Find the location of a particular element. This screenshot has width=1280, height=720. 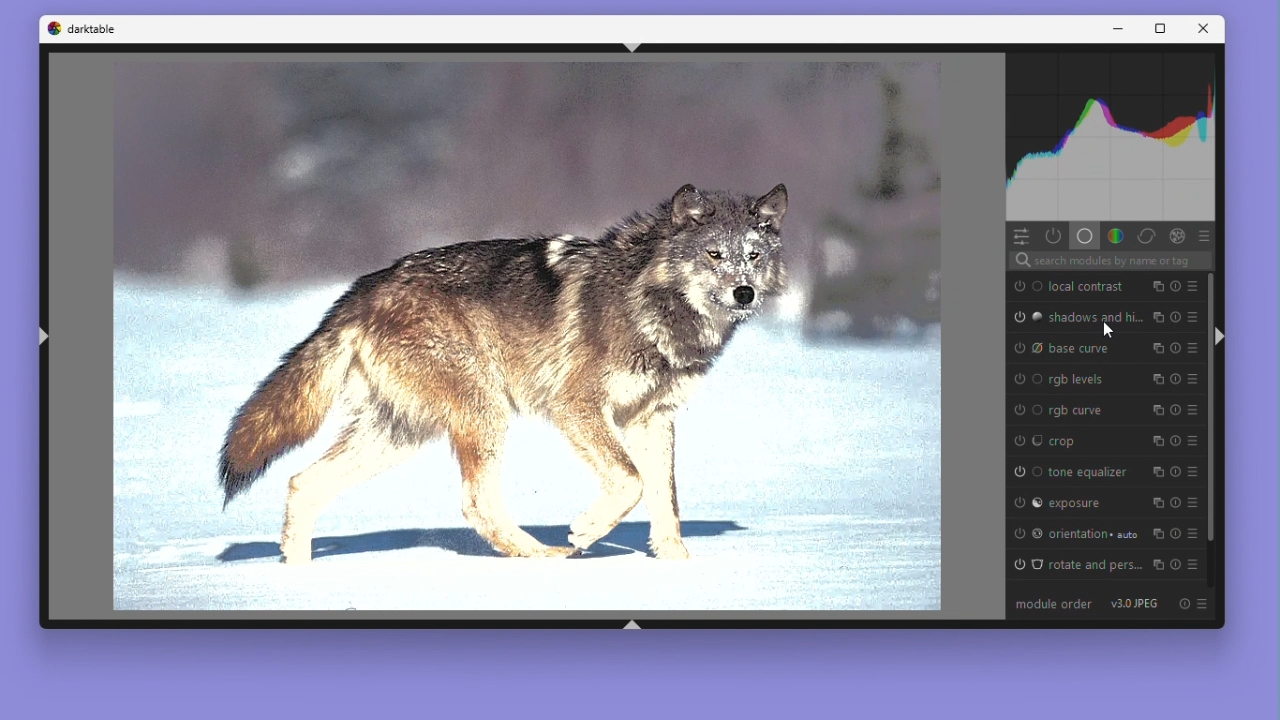

preset is located at coordinates (1206, 236).